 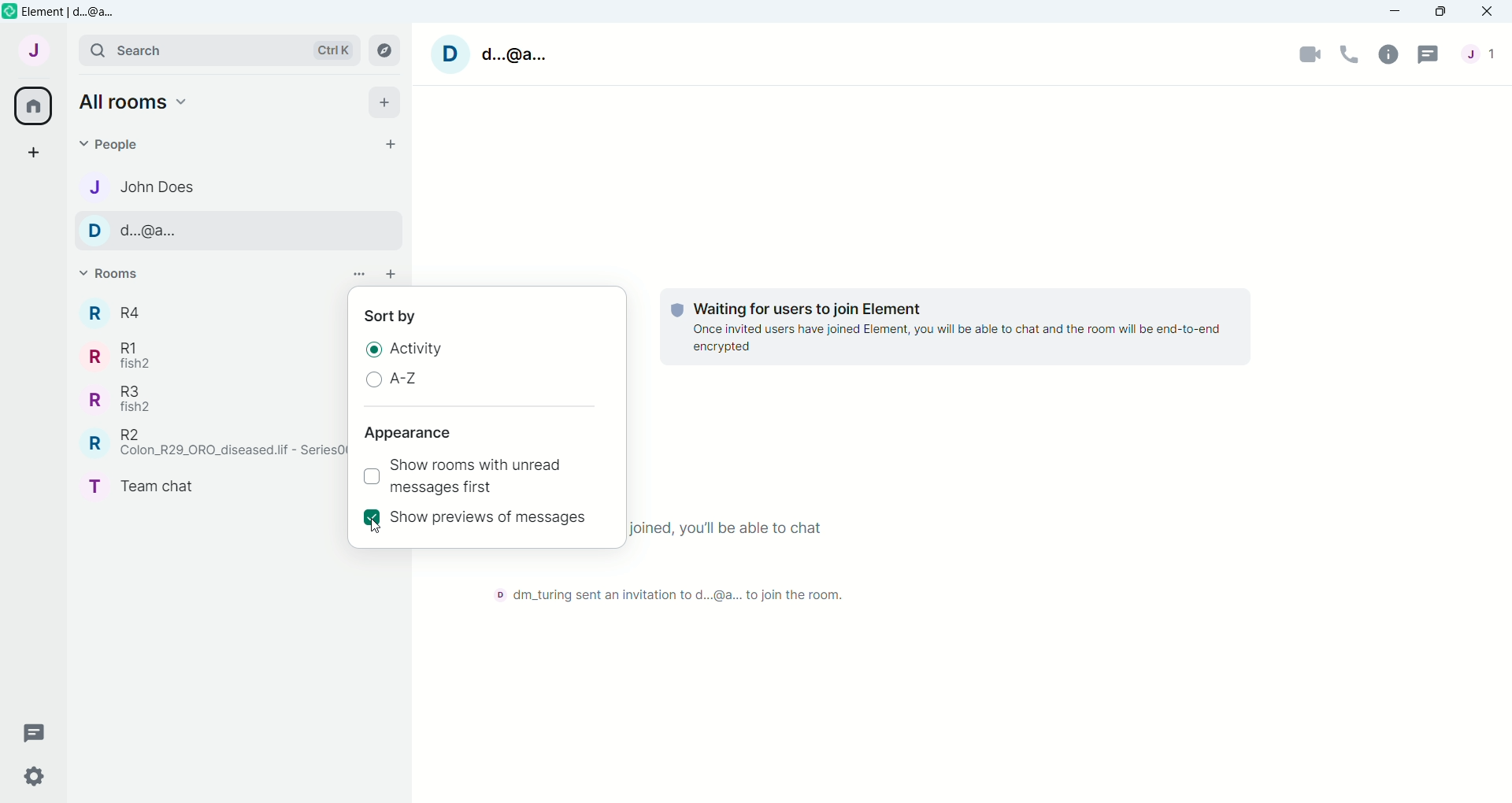 What do you see at coordinates (370, 477) in the screenshot?
I see `Checkbox` at bounding box center [370, 477].